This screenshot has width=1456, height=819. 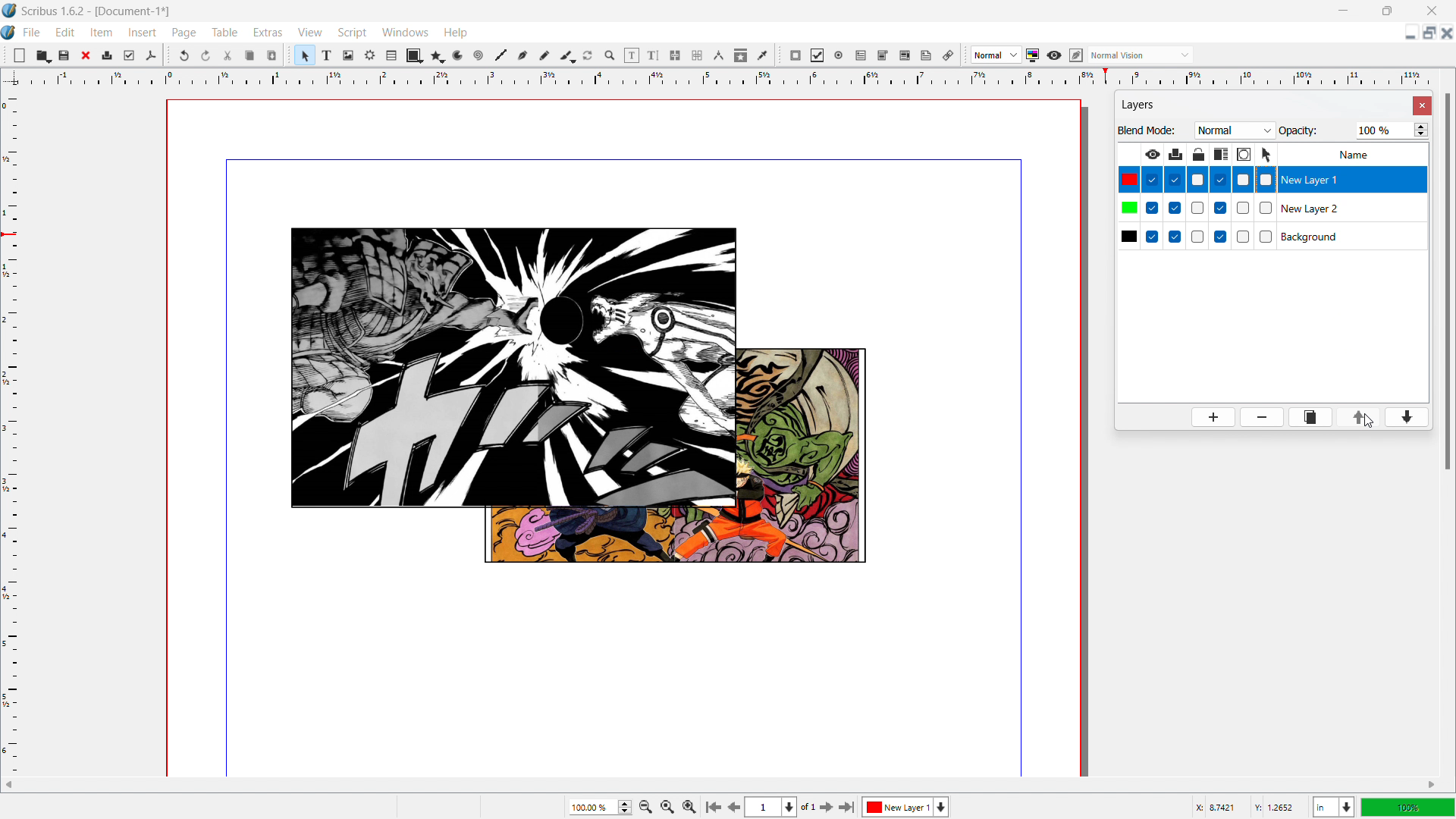 What do you see at coordinates (697, 55) in the screenshot?
I see `unlink text frames` at bounding box center [697, 55].